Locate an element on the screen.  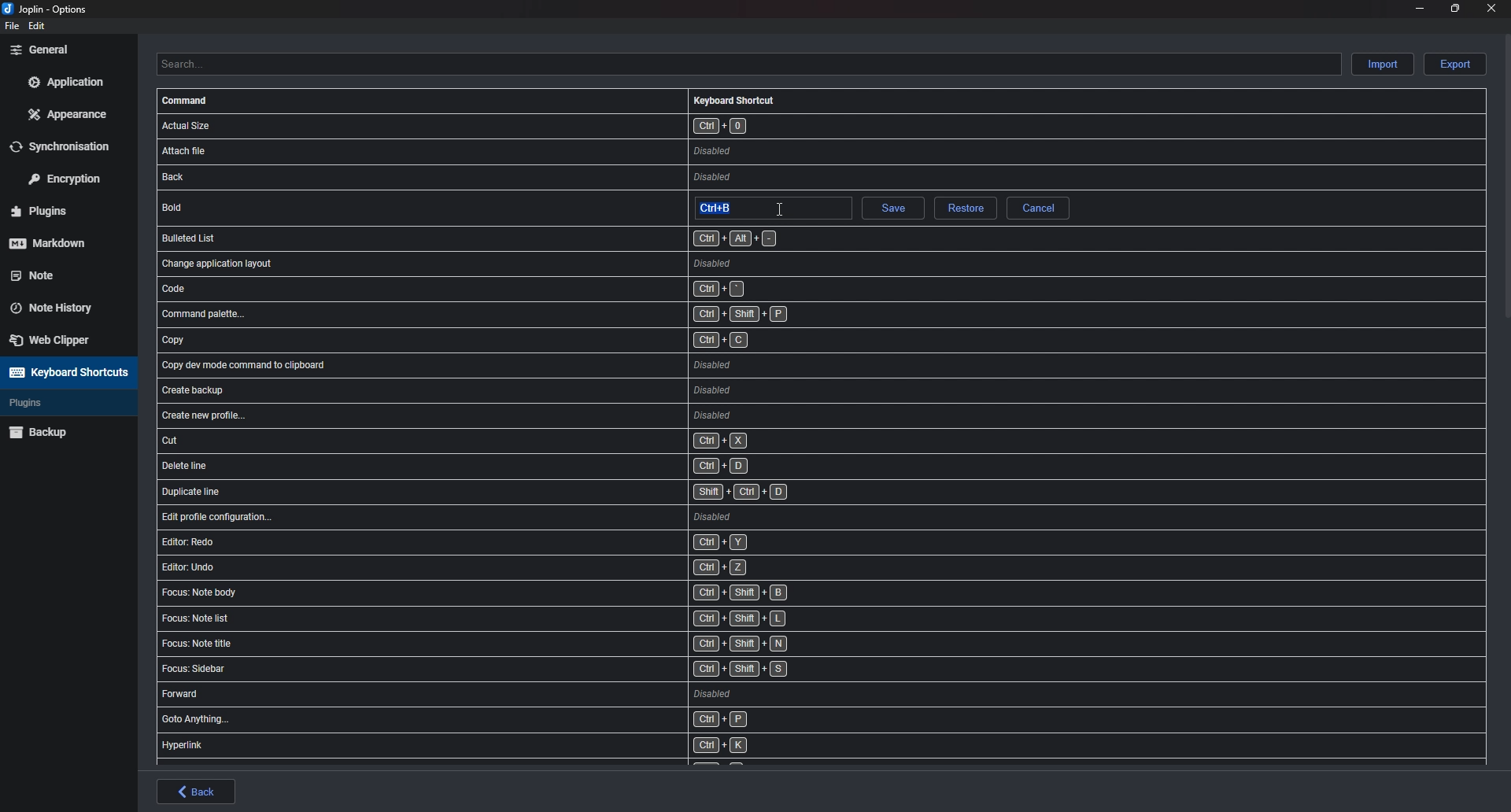
shortcut is located at coordinates (512, 670).